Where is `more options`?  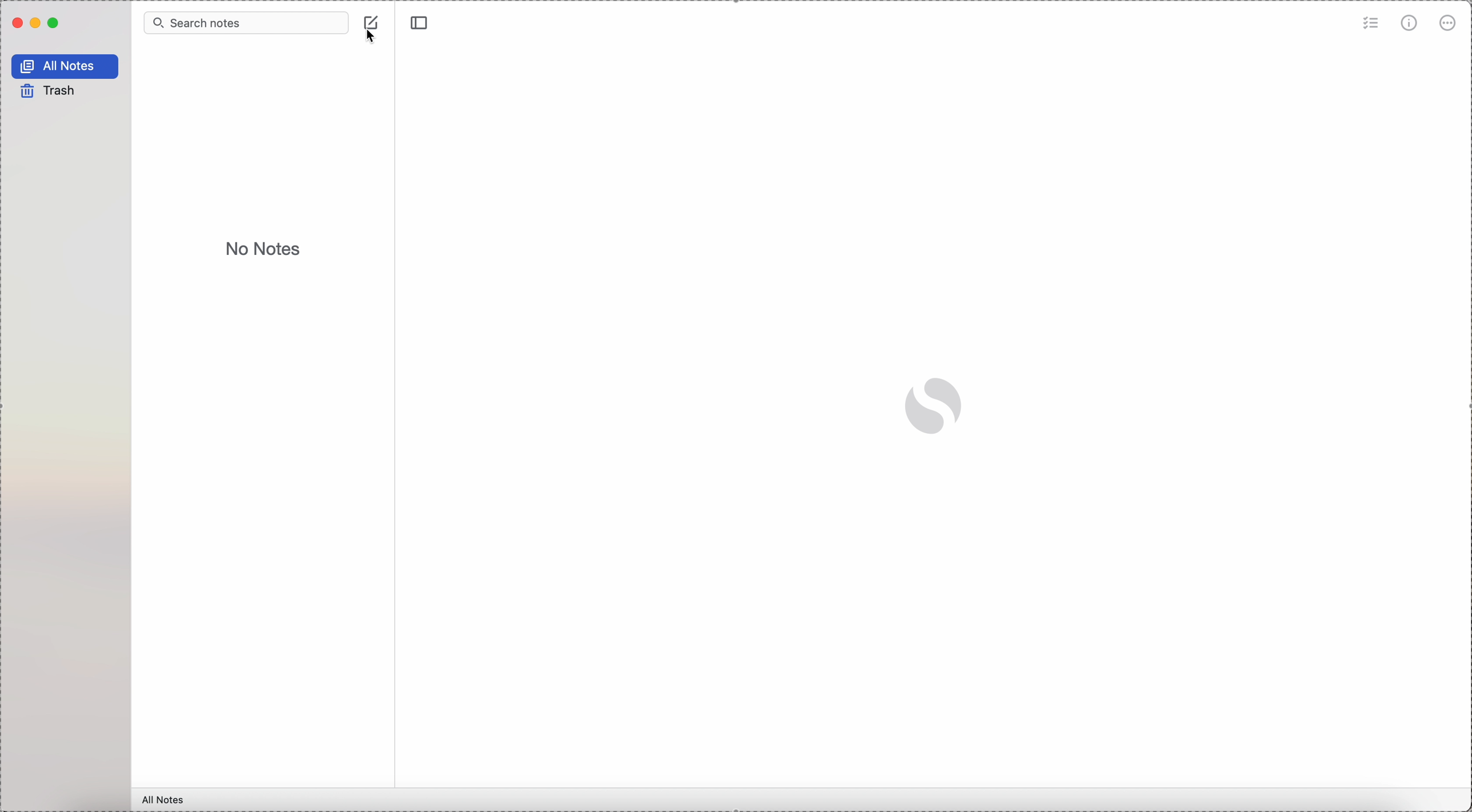 more options is located at coordinates (1449, 22).